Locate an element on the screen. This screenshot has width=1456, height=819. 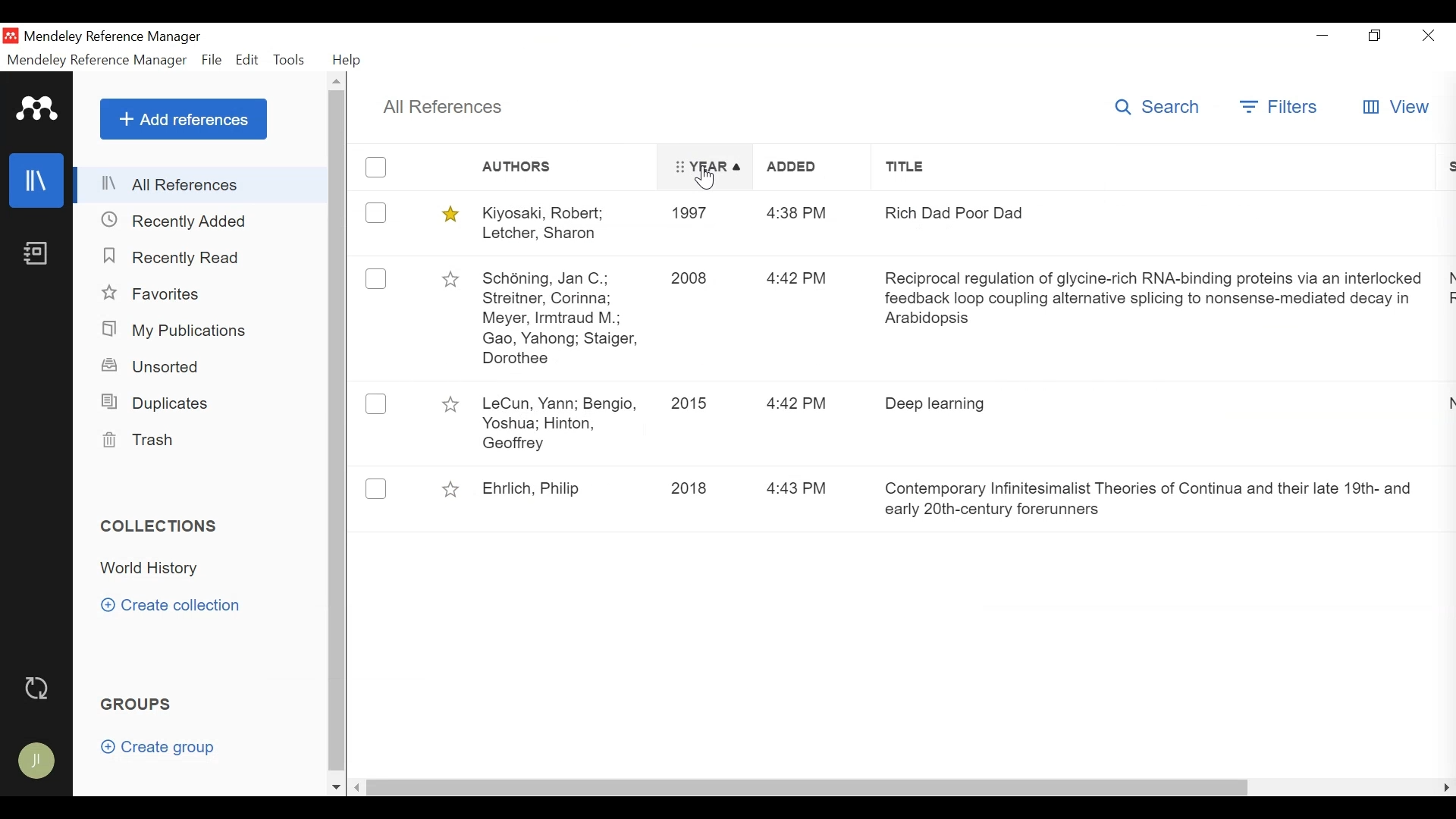
scroll right is located at coordinates (1442, 789).